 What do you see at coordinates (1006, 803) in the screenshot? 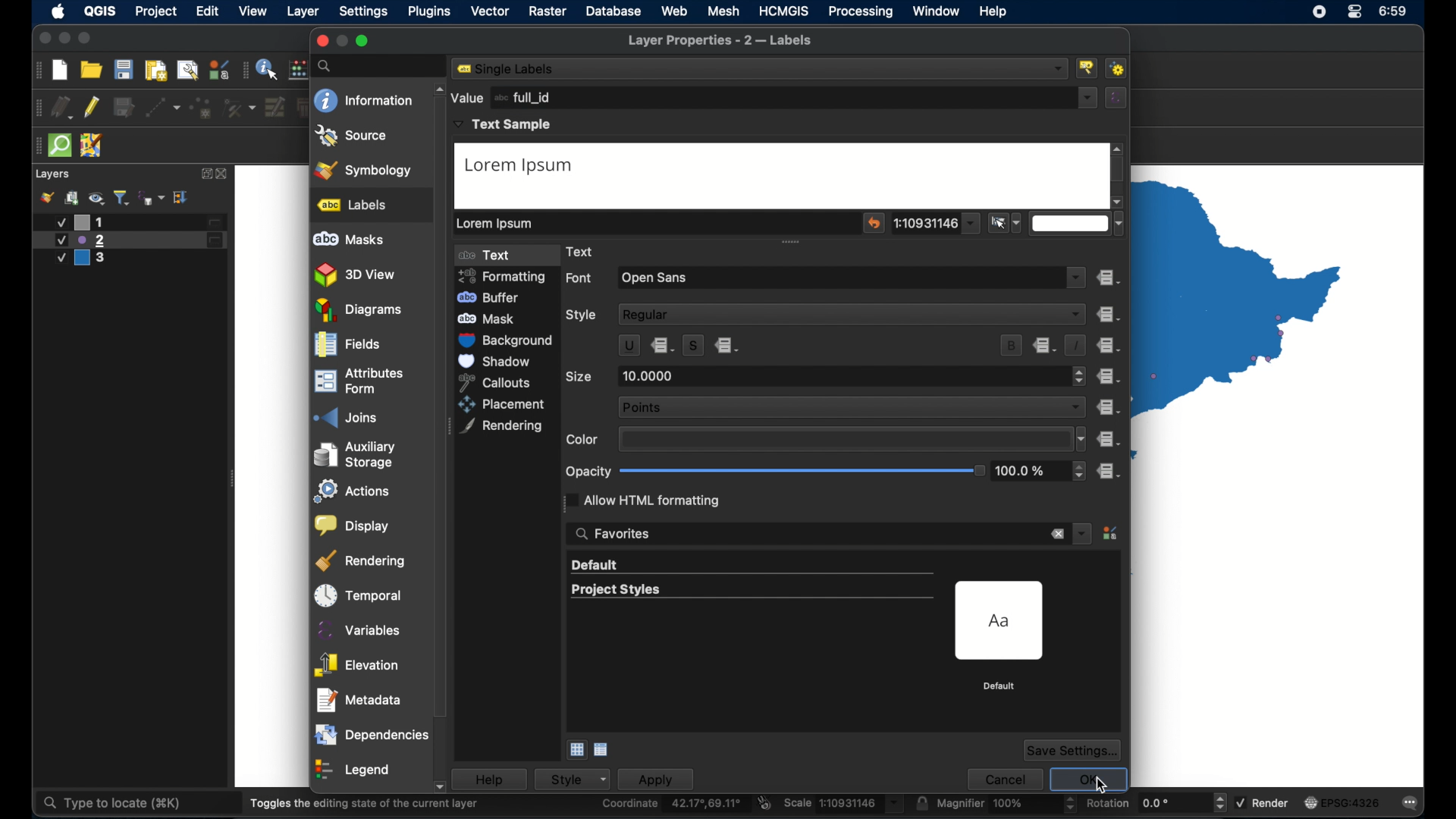
I see `magnifier` at bounding box center [1006, 803].